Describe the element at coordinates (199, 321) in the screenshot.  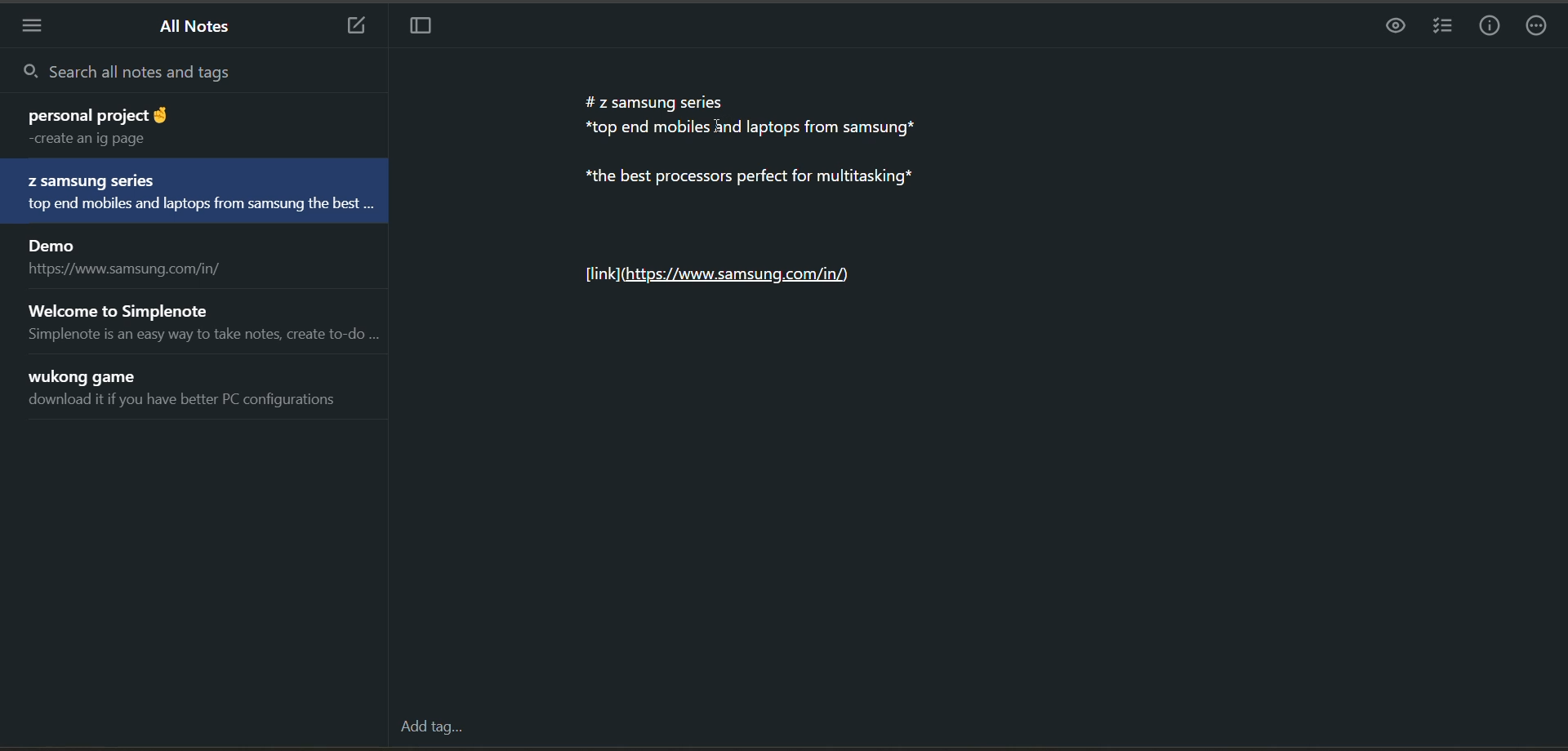
I see `note title and preview` at that location.